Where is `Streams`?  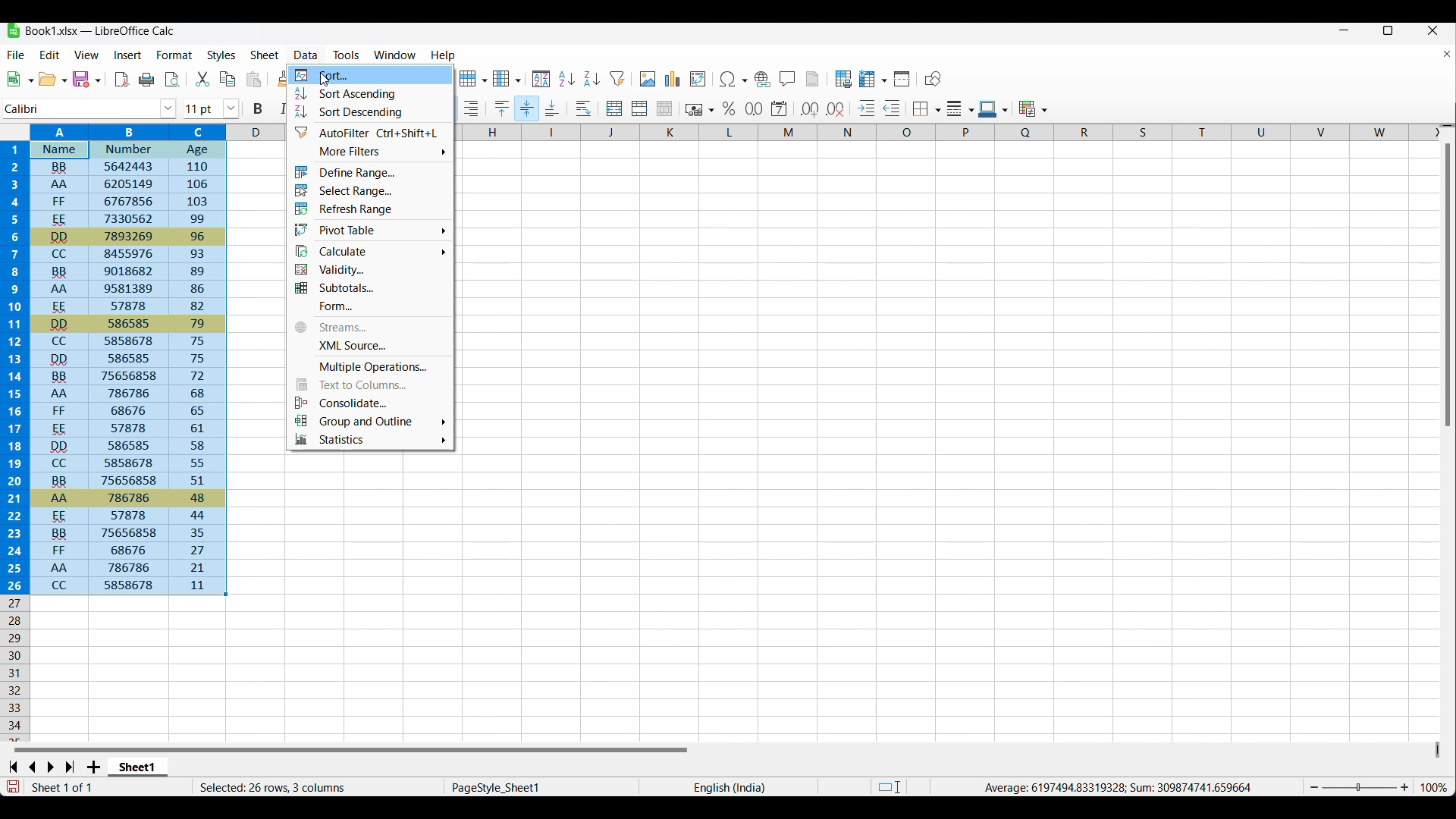 Streams is located at coordinates (370, 327).